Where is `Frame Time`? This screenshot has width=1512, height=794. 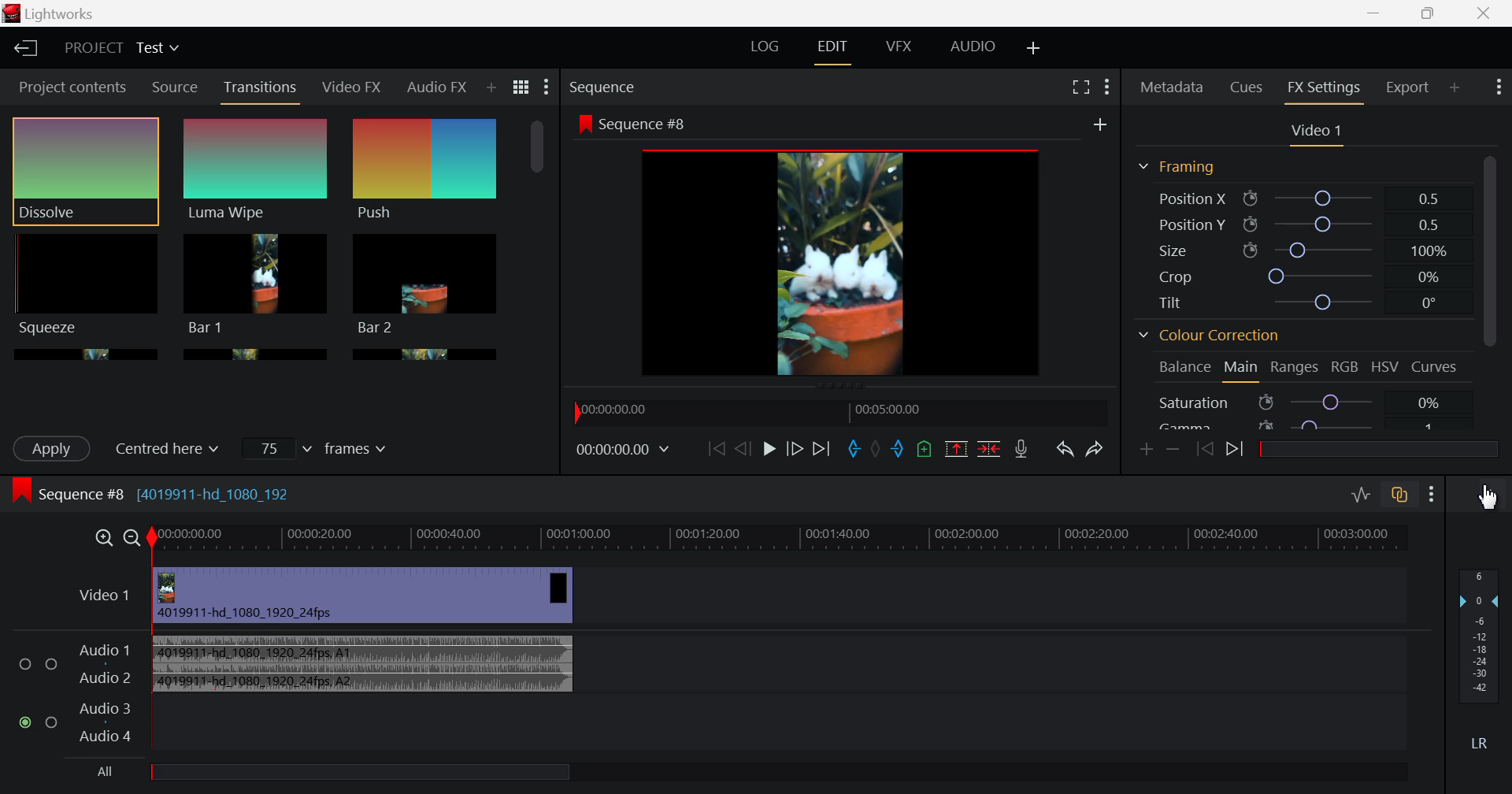
Frame Time is located at coordinates (622, 453).